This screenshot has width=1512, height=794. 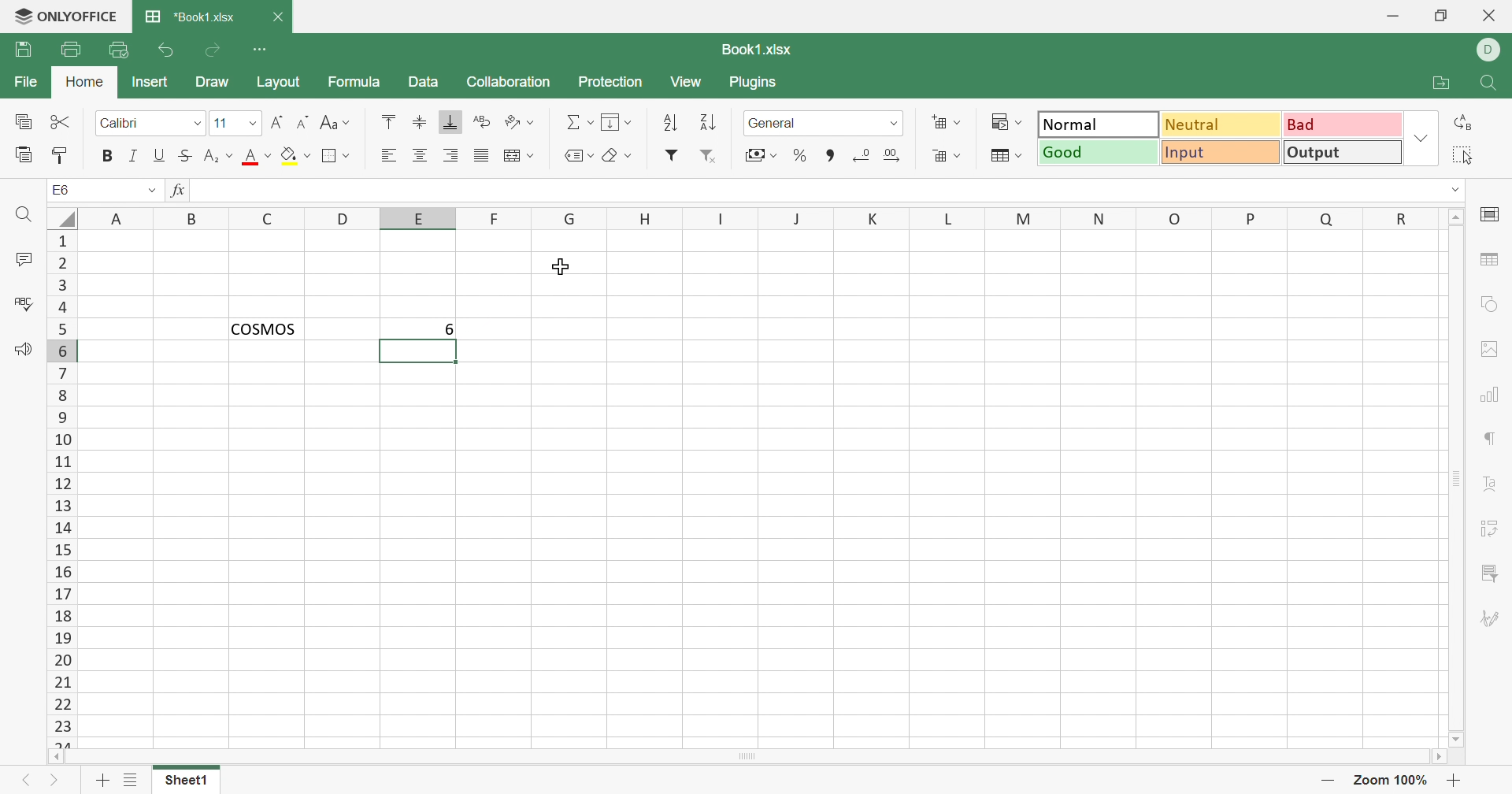 What do you see at coordinates (481, 121) in the screenshot?
I see `Wrap text` at bounding box center [481, 121].